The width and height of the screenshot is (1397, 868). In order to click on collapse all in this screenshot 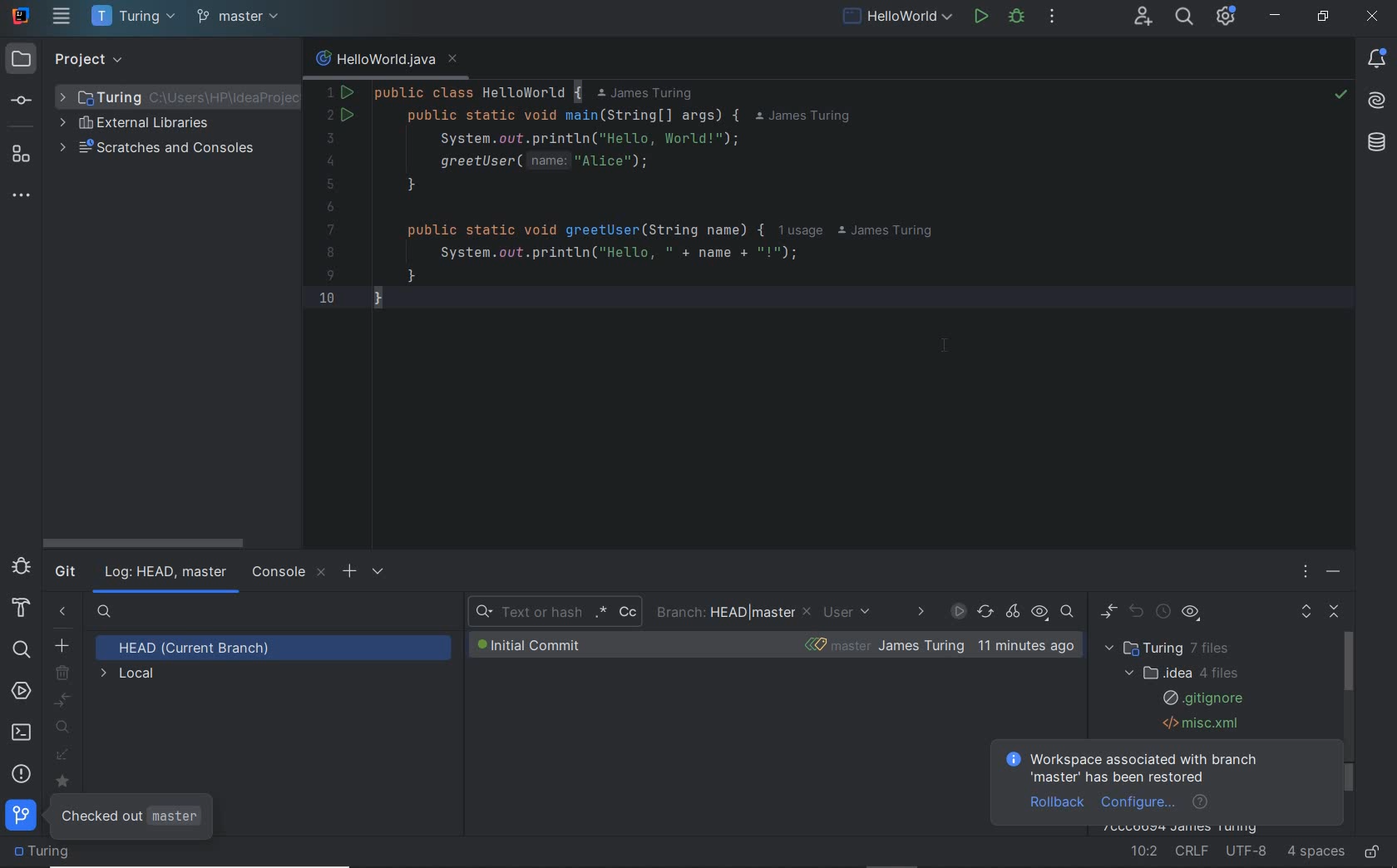, I will do `click(1336, 613)`.